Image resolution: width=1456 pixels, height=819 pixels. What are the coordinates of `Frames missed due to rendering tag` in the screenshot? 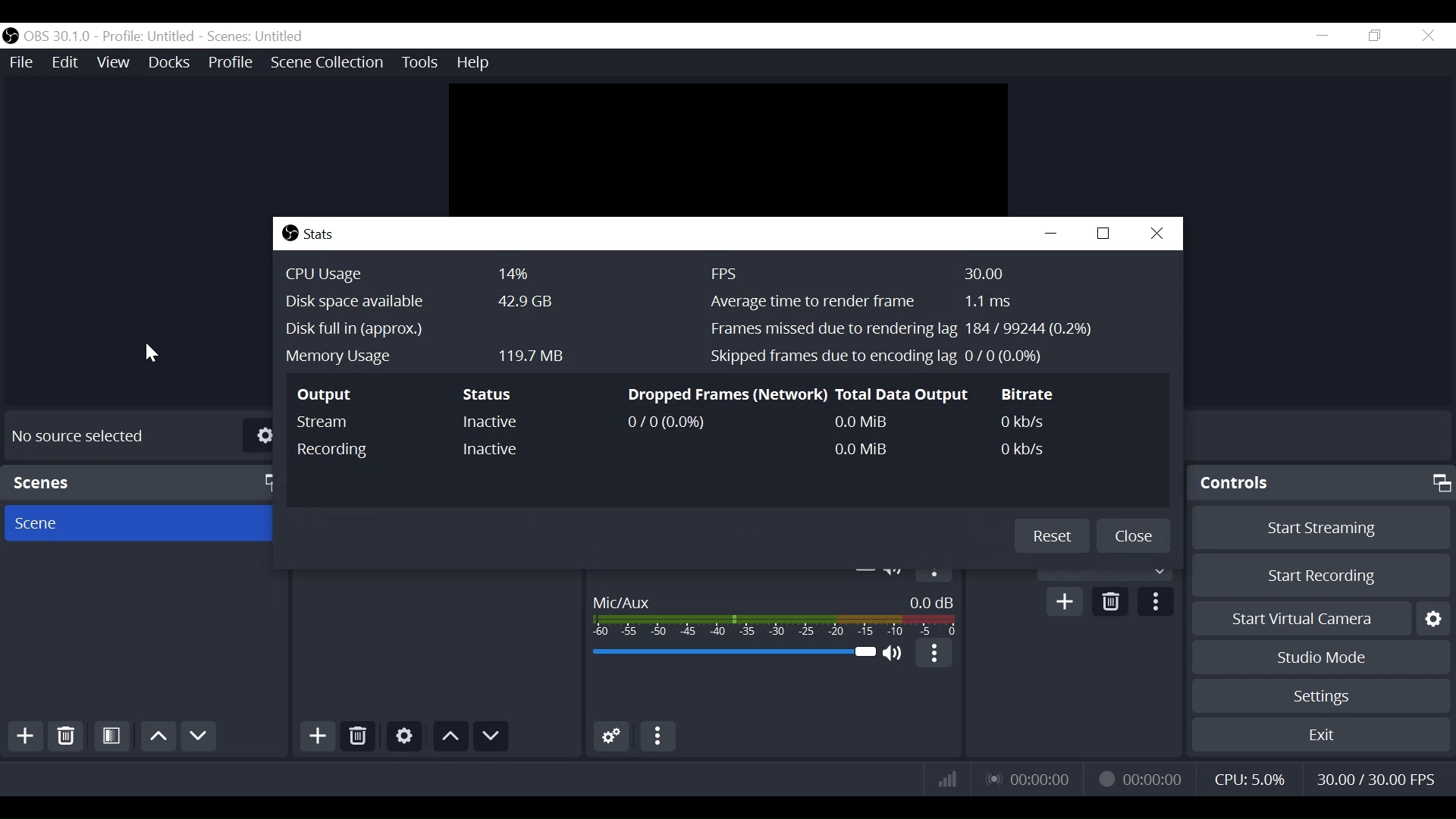 It's located at (913, 329).